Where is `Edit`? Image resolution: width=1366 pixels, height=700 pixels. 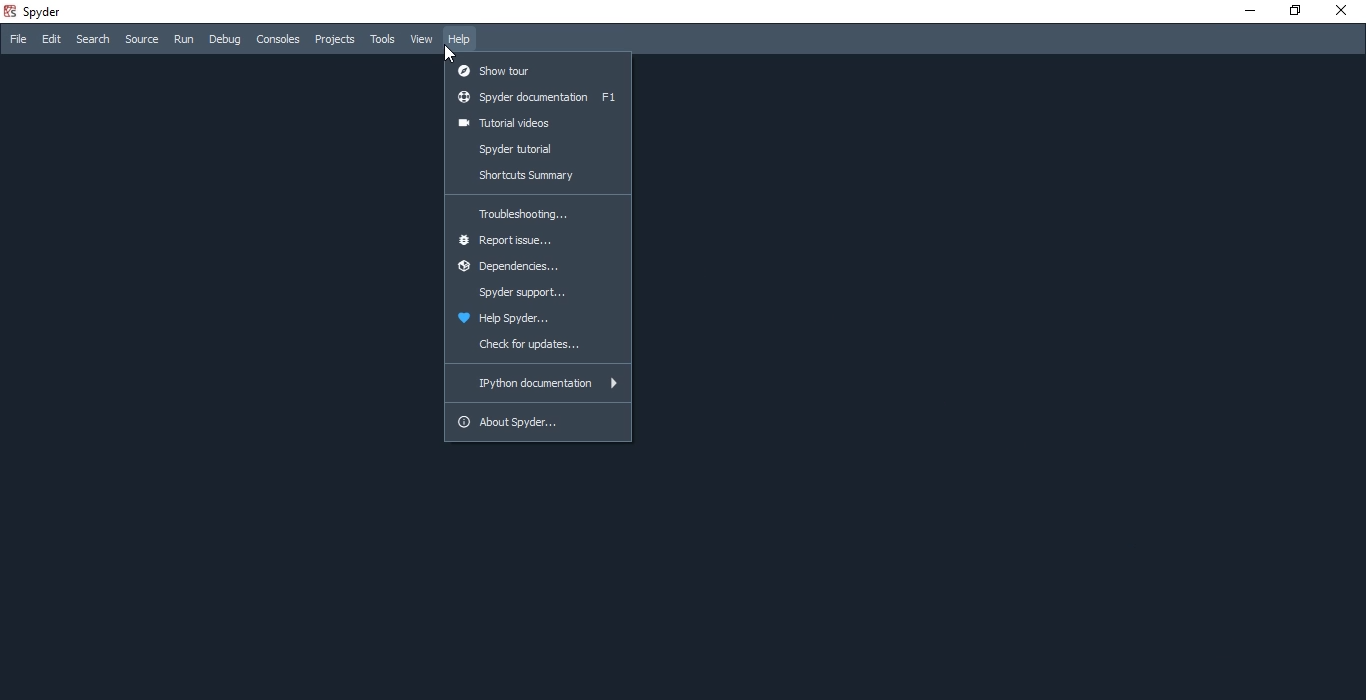 Edit is located at coordinates (51, 39).